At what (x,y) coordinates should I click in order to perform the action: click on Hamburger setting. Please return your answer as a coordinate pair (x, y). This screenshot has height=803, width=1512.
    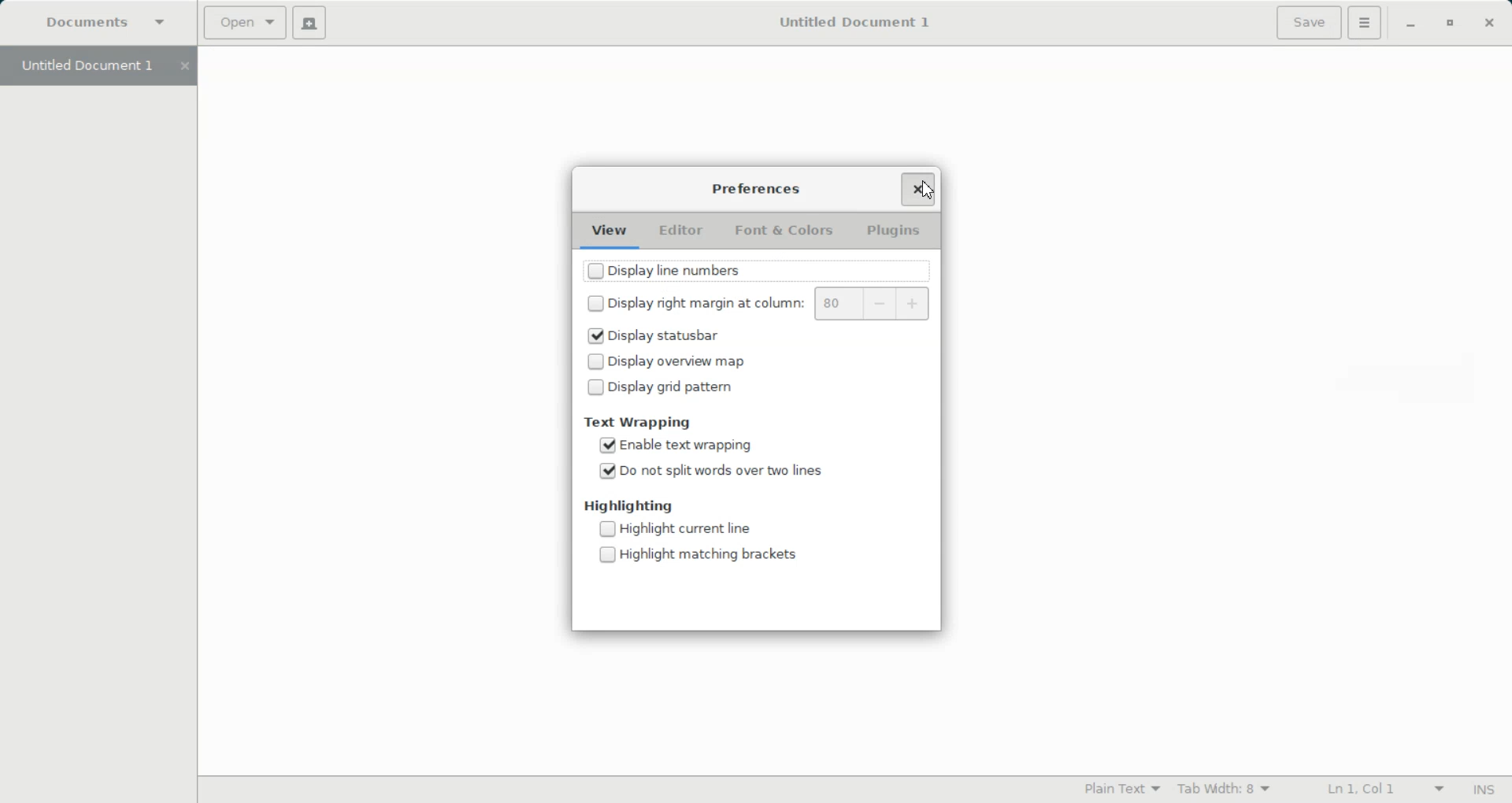
    Looking at the image, I should click on (1366, 23).